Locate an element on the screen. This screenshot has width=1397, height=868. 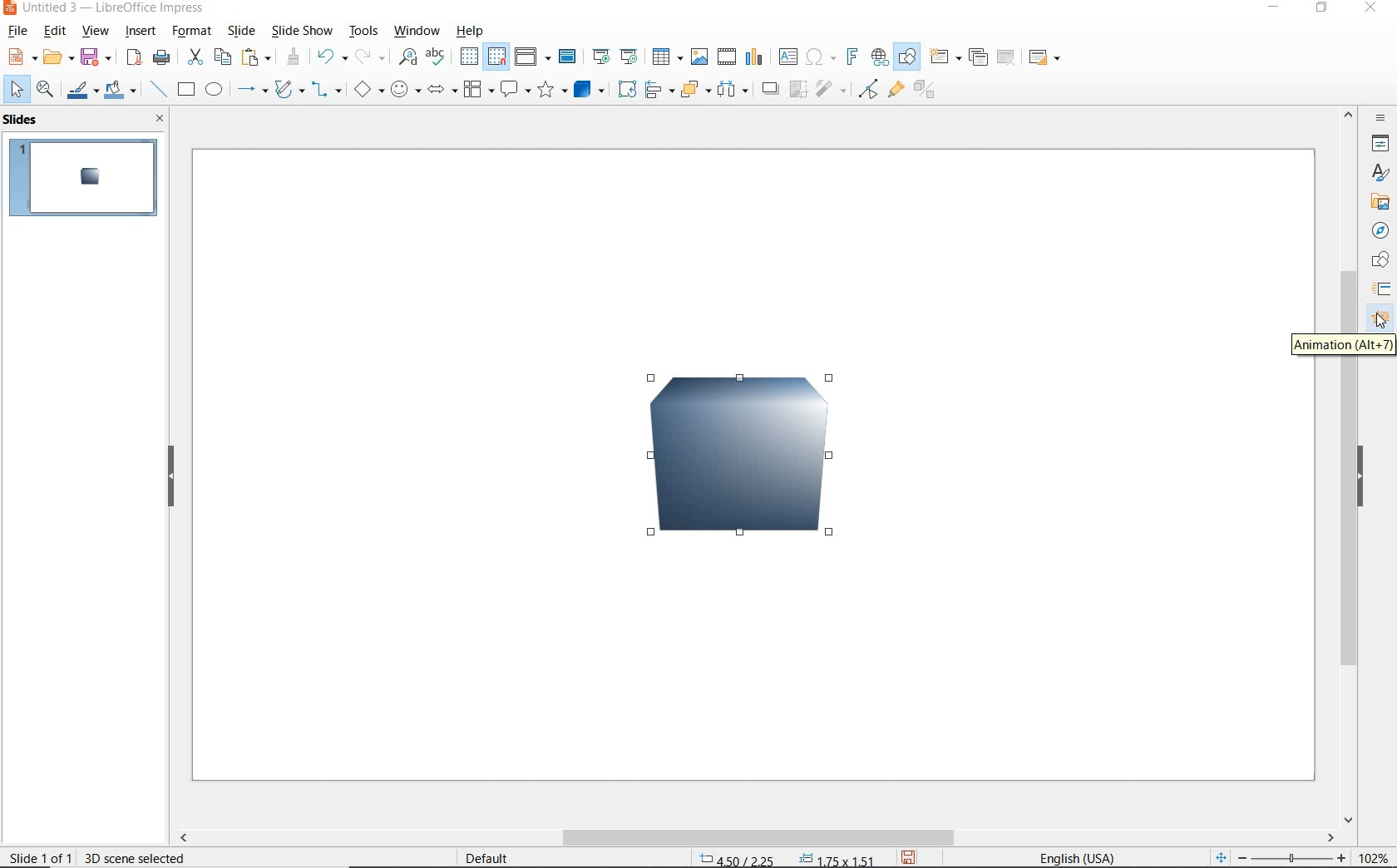
find & replace is located at coordinates (407, 57).